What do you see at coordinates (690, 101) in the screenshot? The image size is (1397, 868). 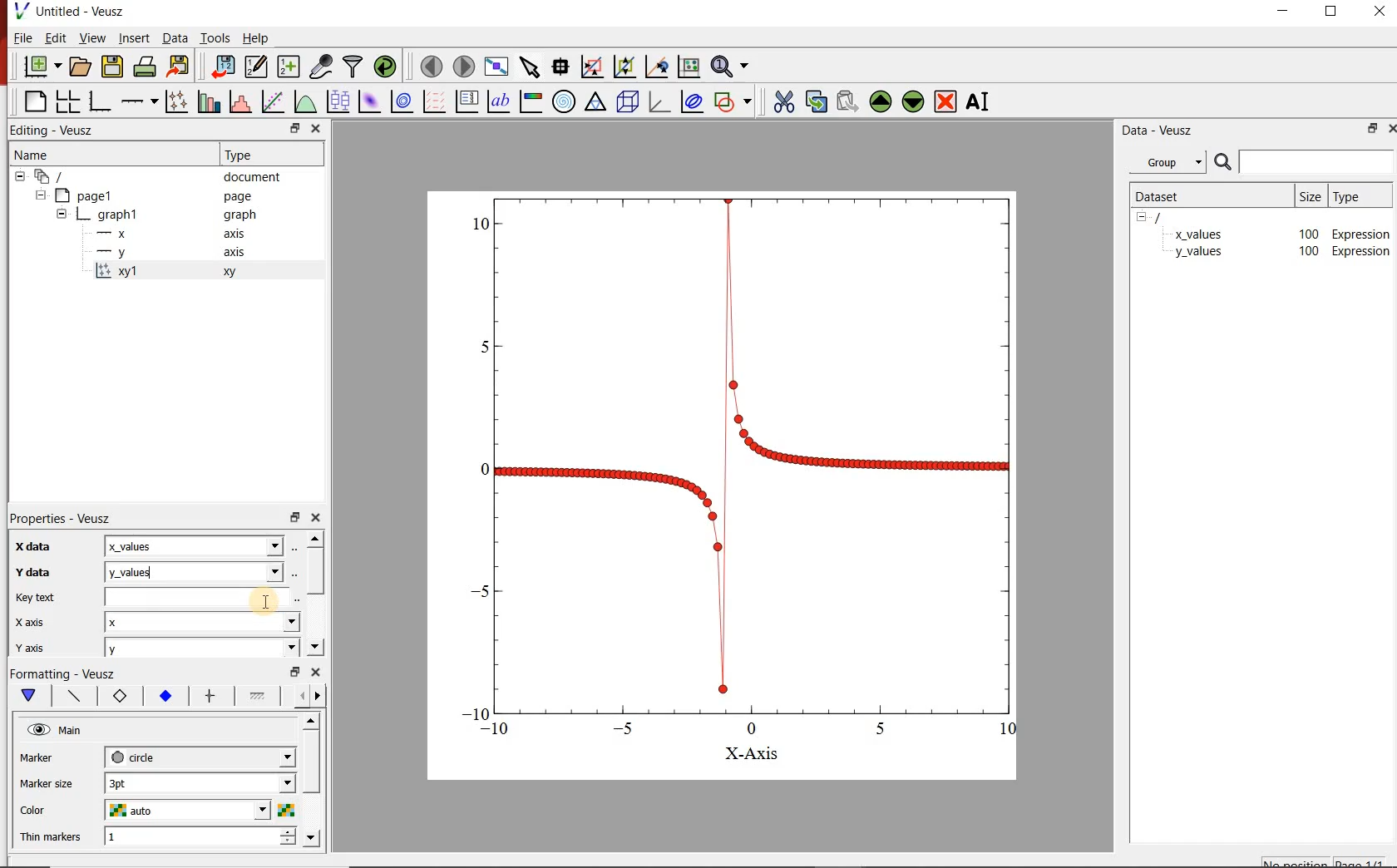 I see `plot covariance ellipse` at bounding box center [690, 101].